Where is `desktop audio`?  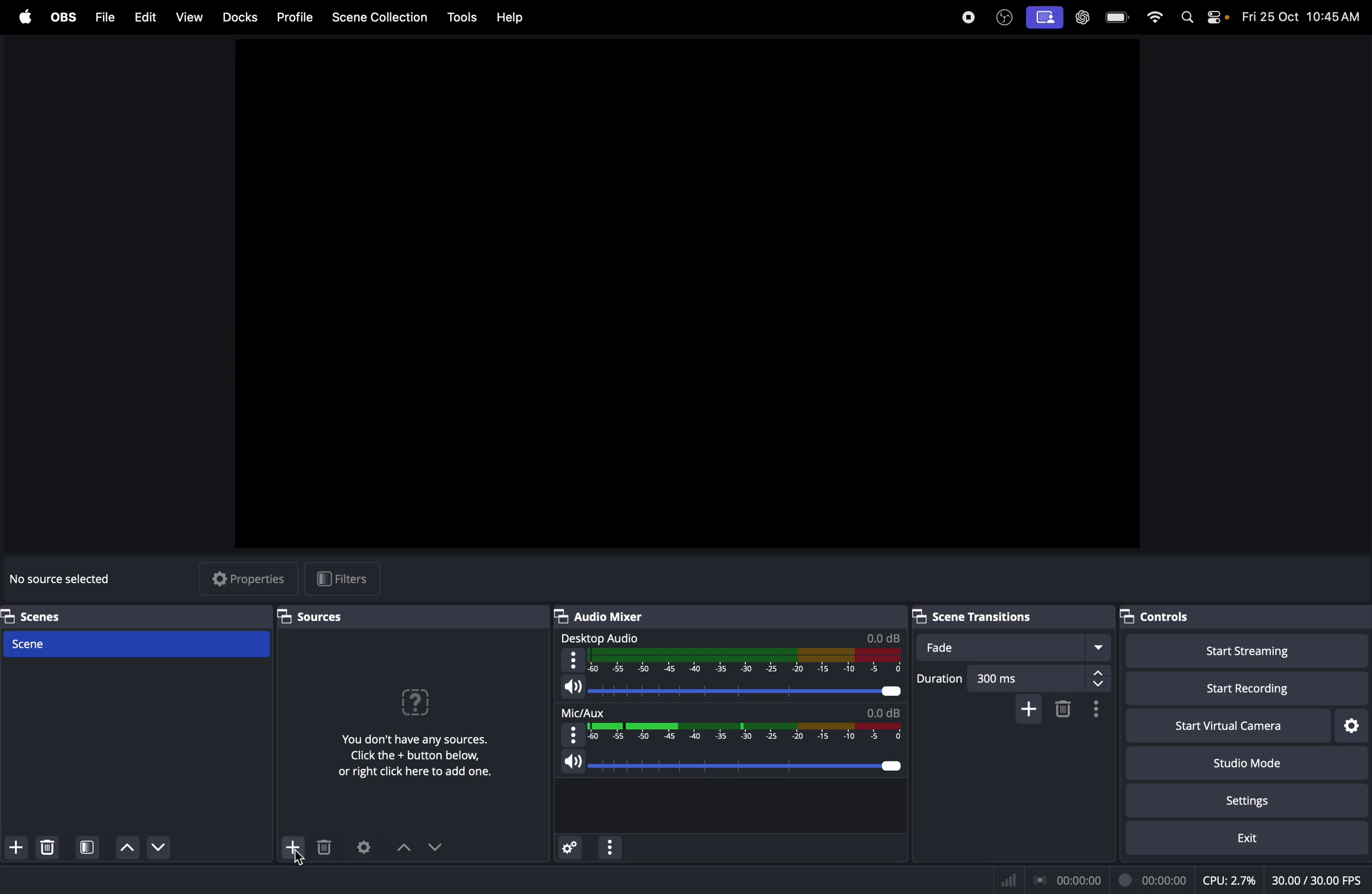
desktop audio is located at coordinates (733, 661).